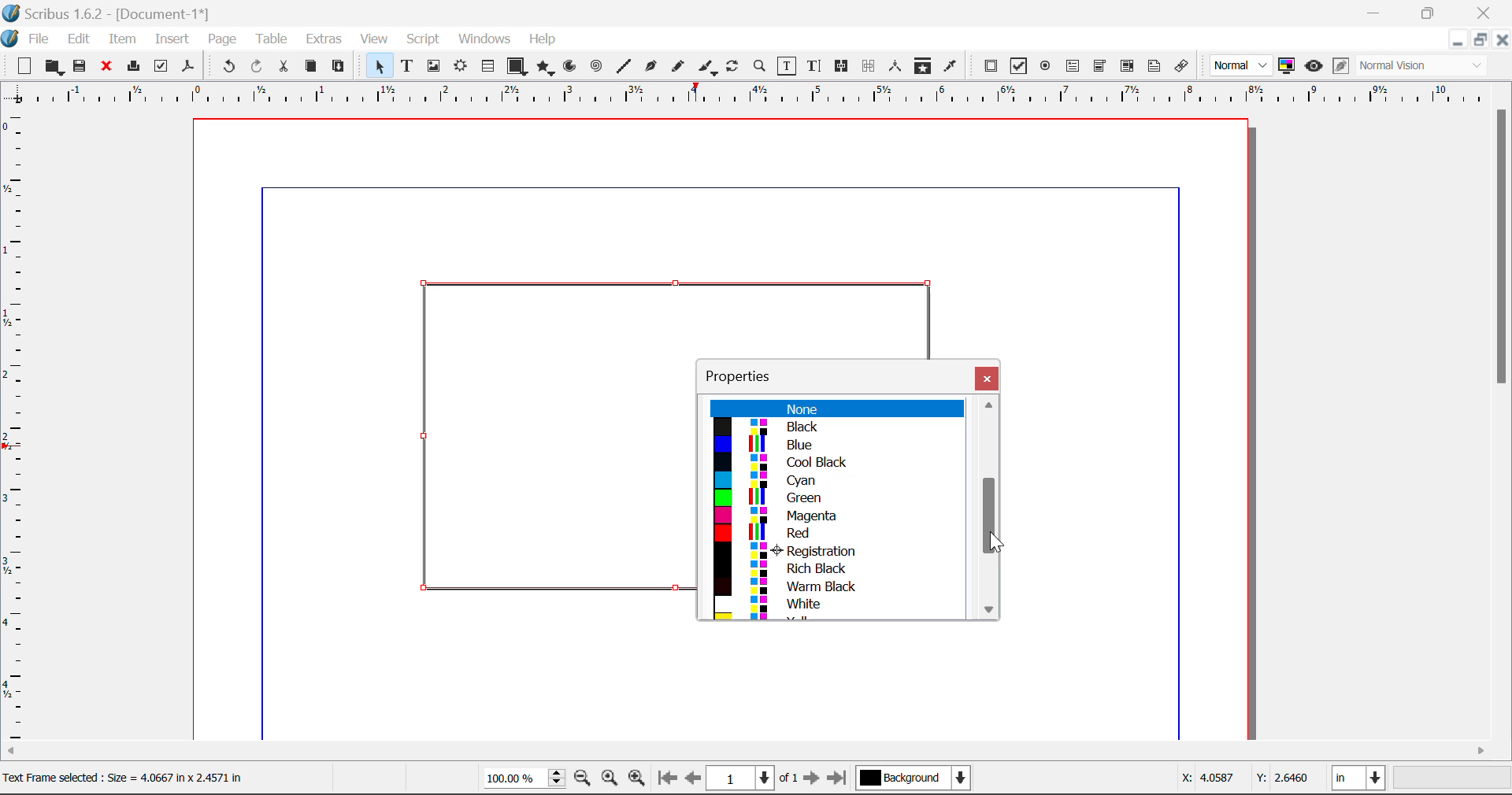 The image size is (1512, 795). Describe the element at coordinates (831, 567) in the screenshot. I see `Rich Black` at that location.